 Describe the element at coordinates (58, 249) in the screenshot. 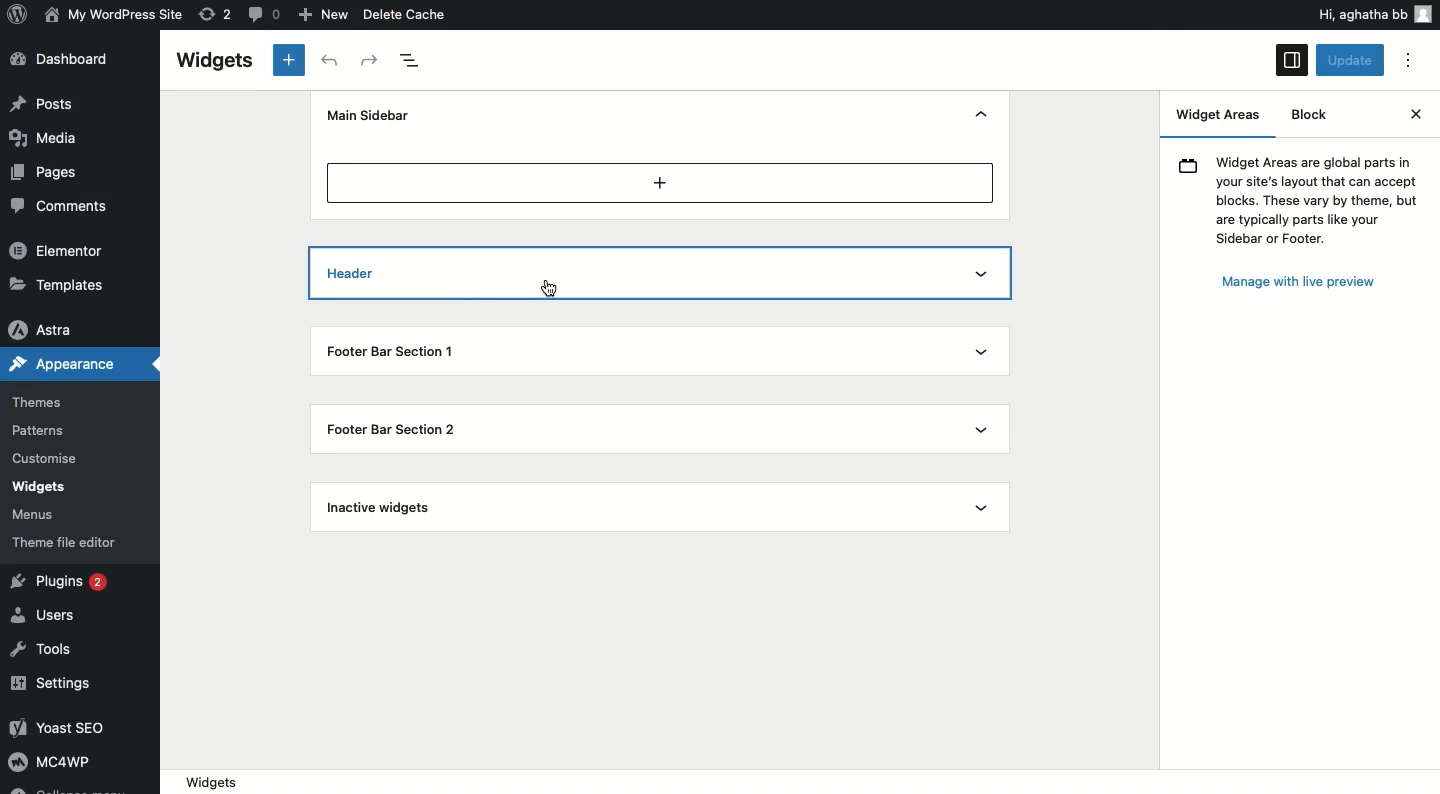

I see `Elementor` at that location.